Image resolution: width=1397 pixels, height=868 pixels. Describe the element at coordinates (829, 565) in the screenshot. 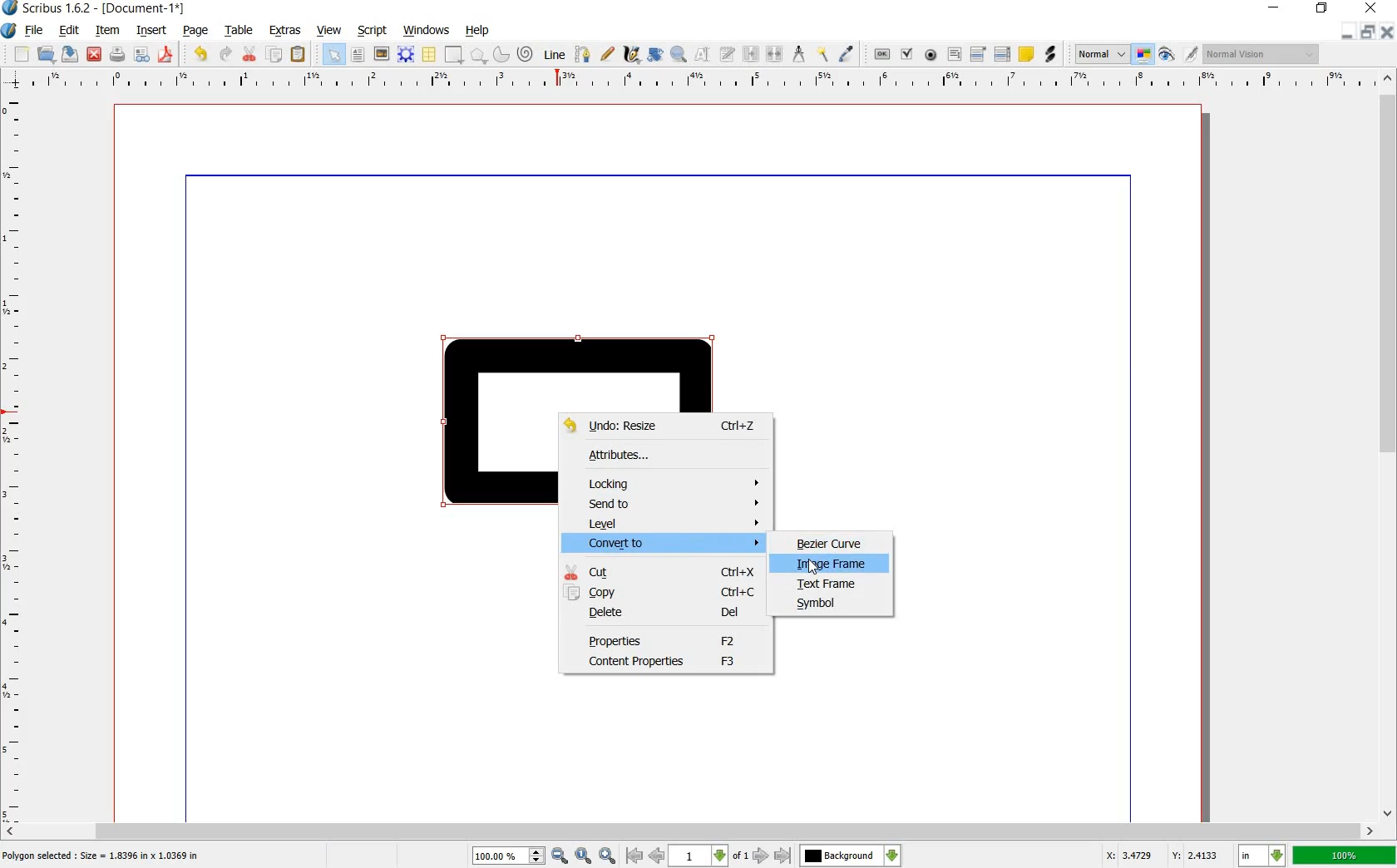

I see `IMAGE FRAME` at that location.